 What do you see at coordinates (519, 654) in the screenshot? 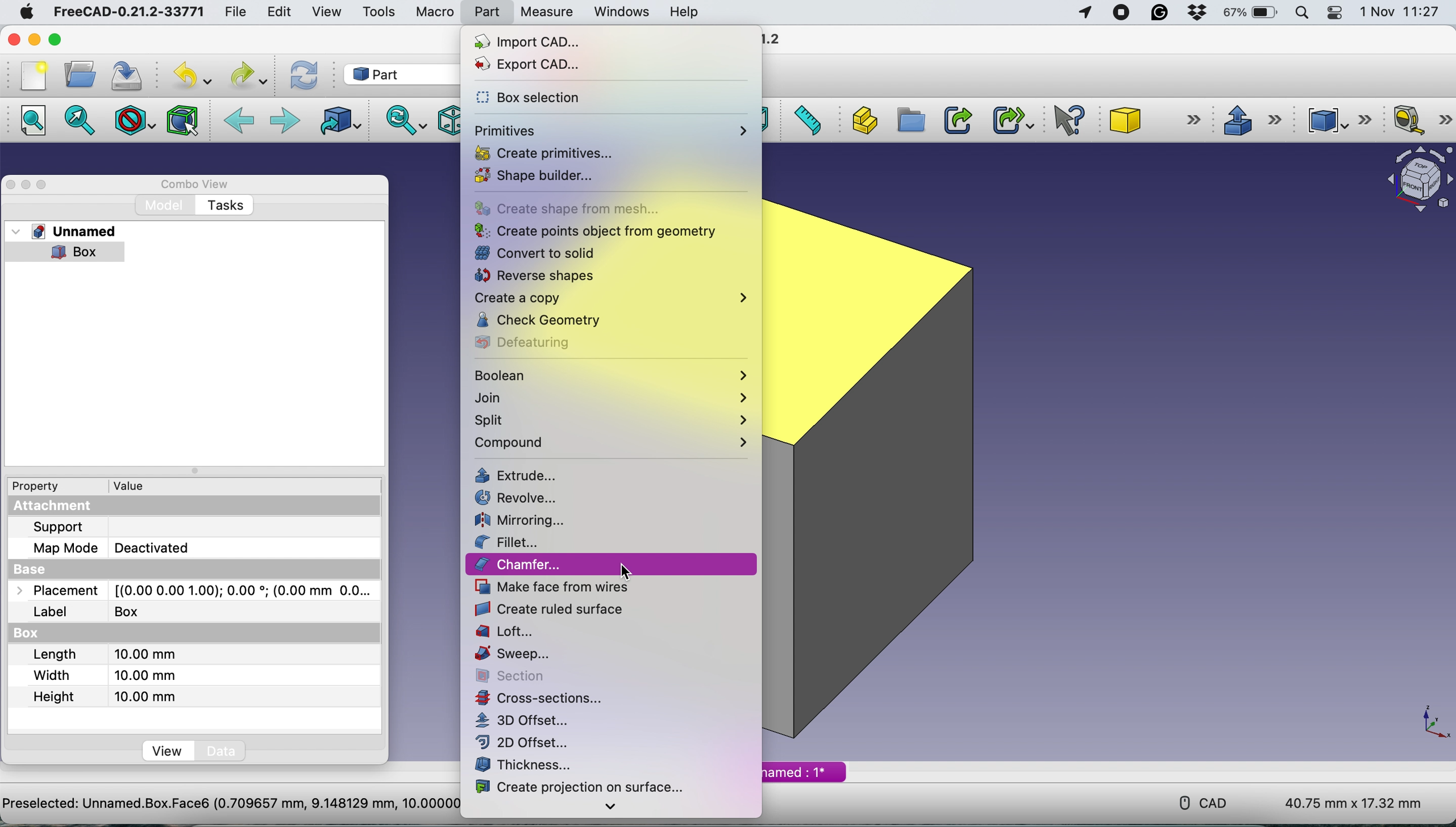
I see `sweep` at bounding box center [519, 654].